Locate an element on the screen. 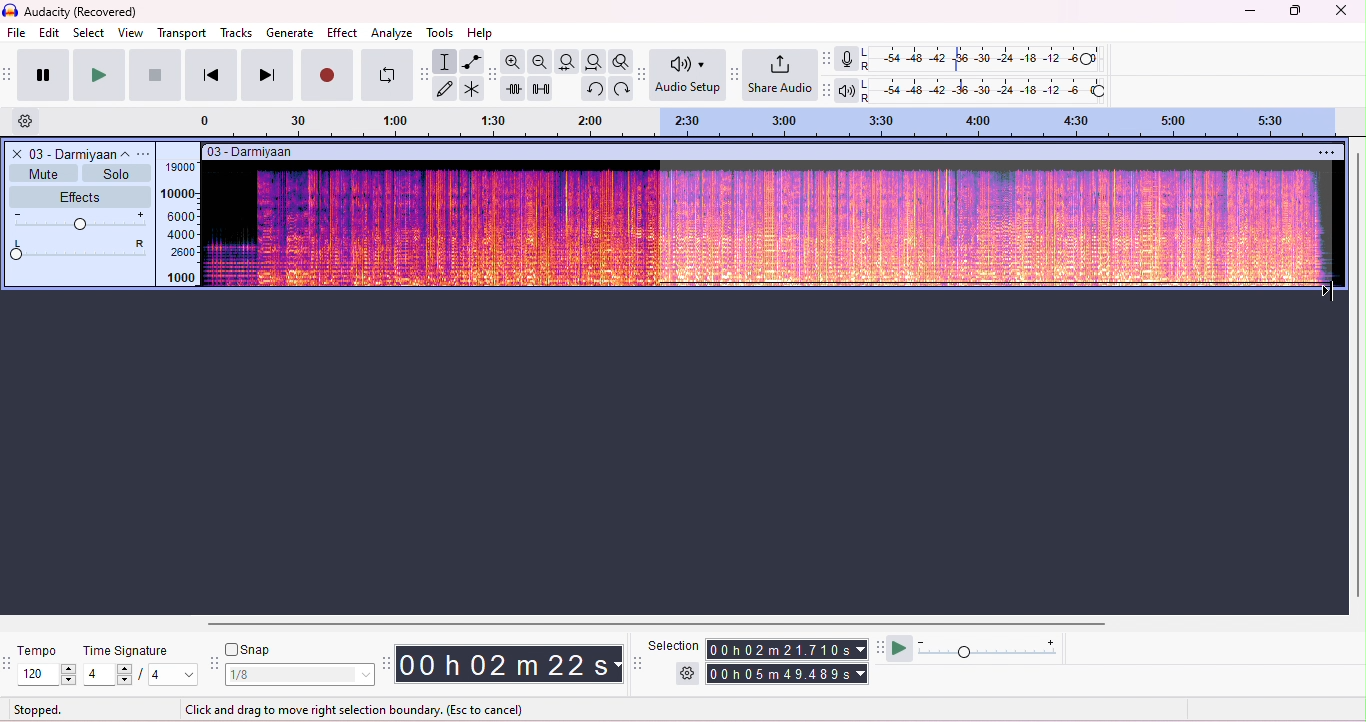 This screenshot has height=722, width=1366. play is located at coordinates (97, 75).